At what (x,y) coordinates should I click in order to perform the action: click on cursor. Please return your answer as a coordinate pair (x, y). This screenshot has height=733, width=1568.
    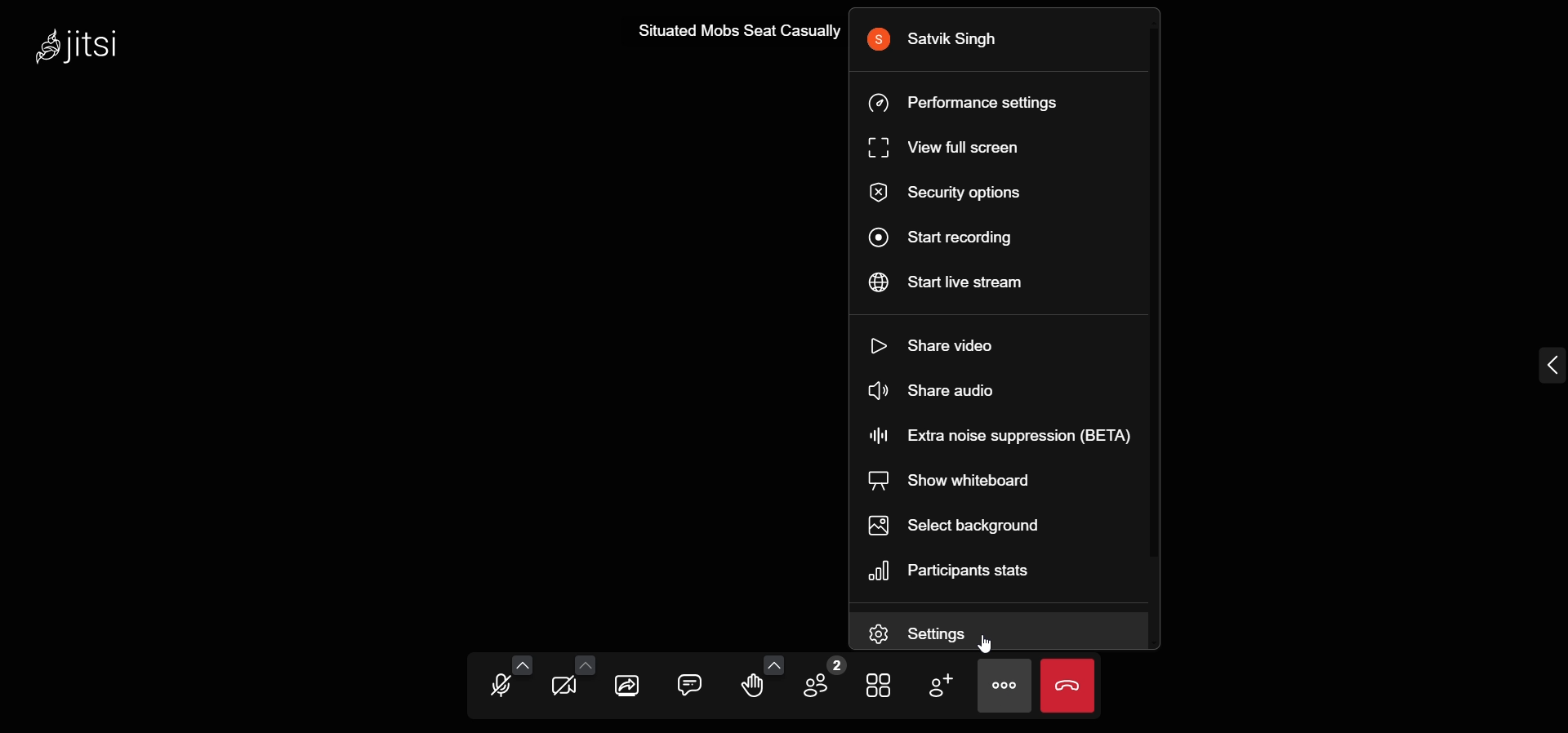
    Looking at the image, I should click on (986, 645).